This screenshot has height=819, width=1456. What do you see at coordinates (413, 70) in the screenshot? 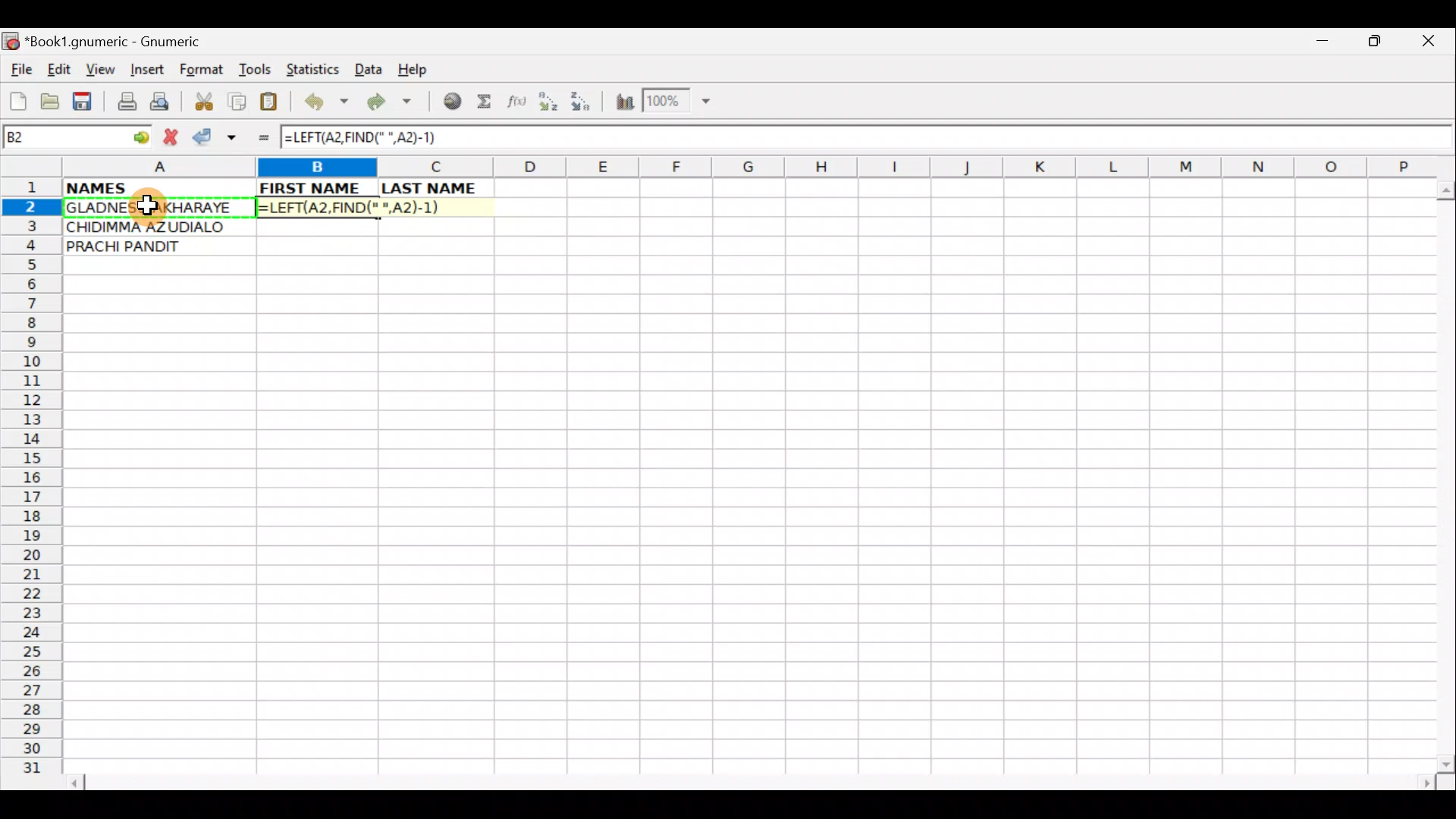
I see `Help` at bounding box center [413, 70].